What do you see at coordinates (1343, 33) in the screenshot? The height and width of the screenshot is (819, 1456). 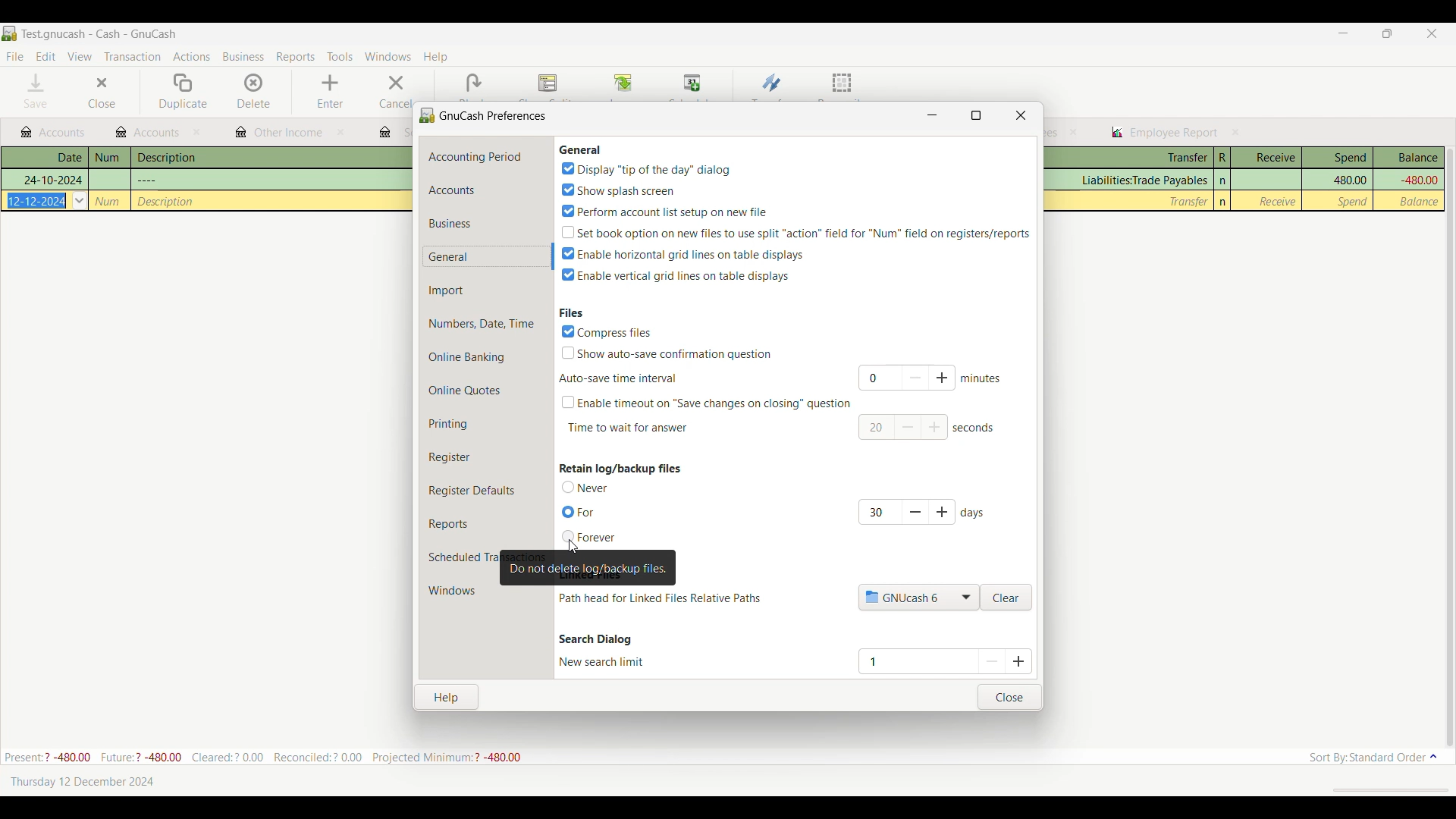 I see `Minimize` at bounding box center [1343, 33].